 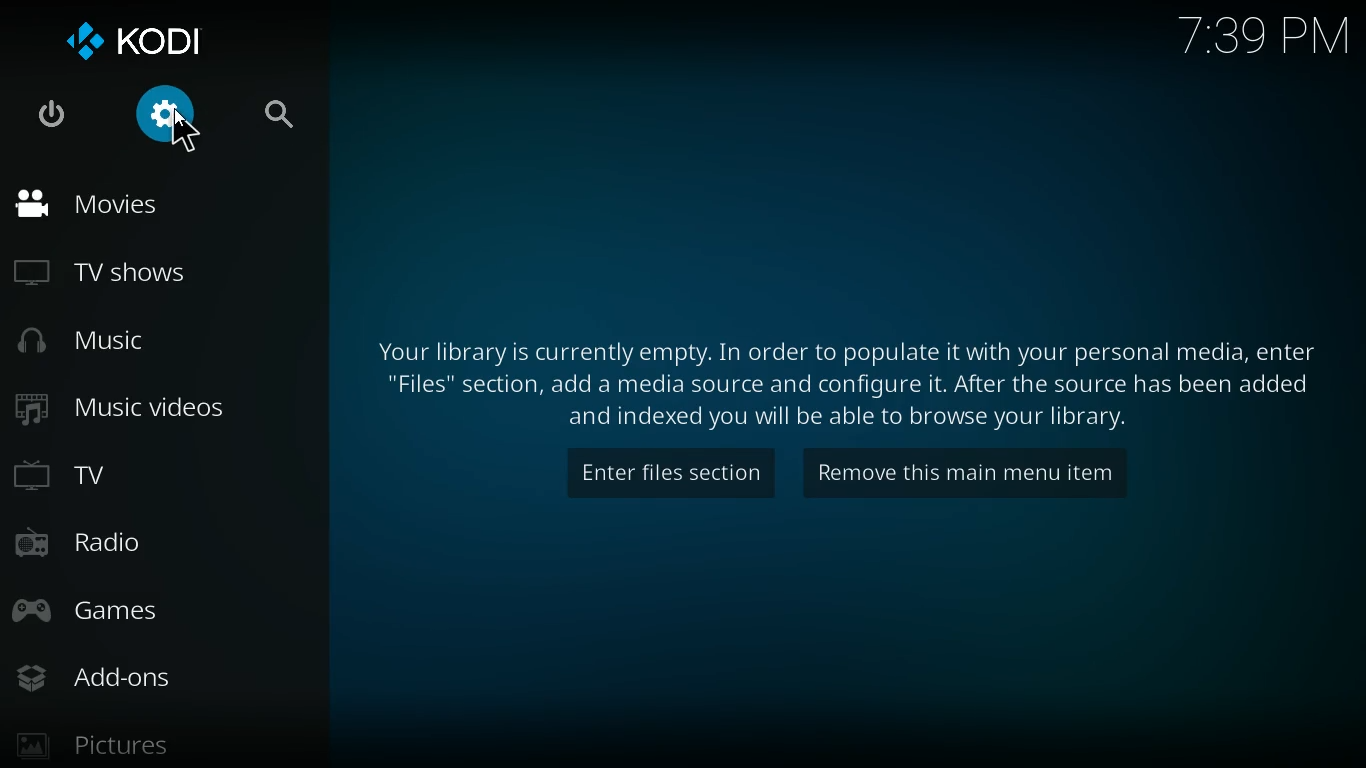 What do you see at coordinates (171, 122) in the screenshot?
I see `settings` at bounding box center [171, 122].